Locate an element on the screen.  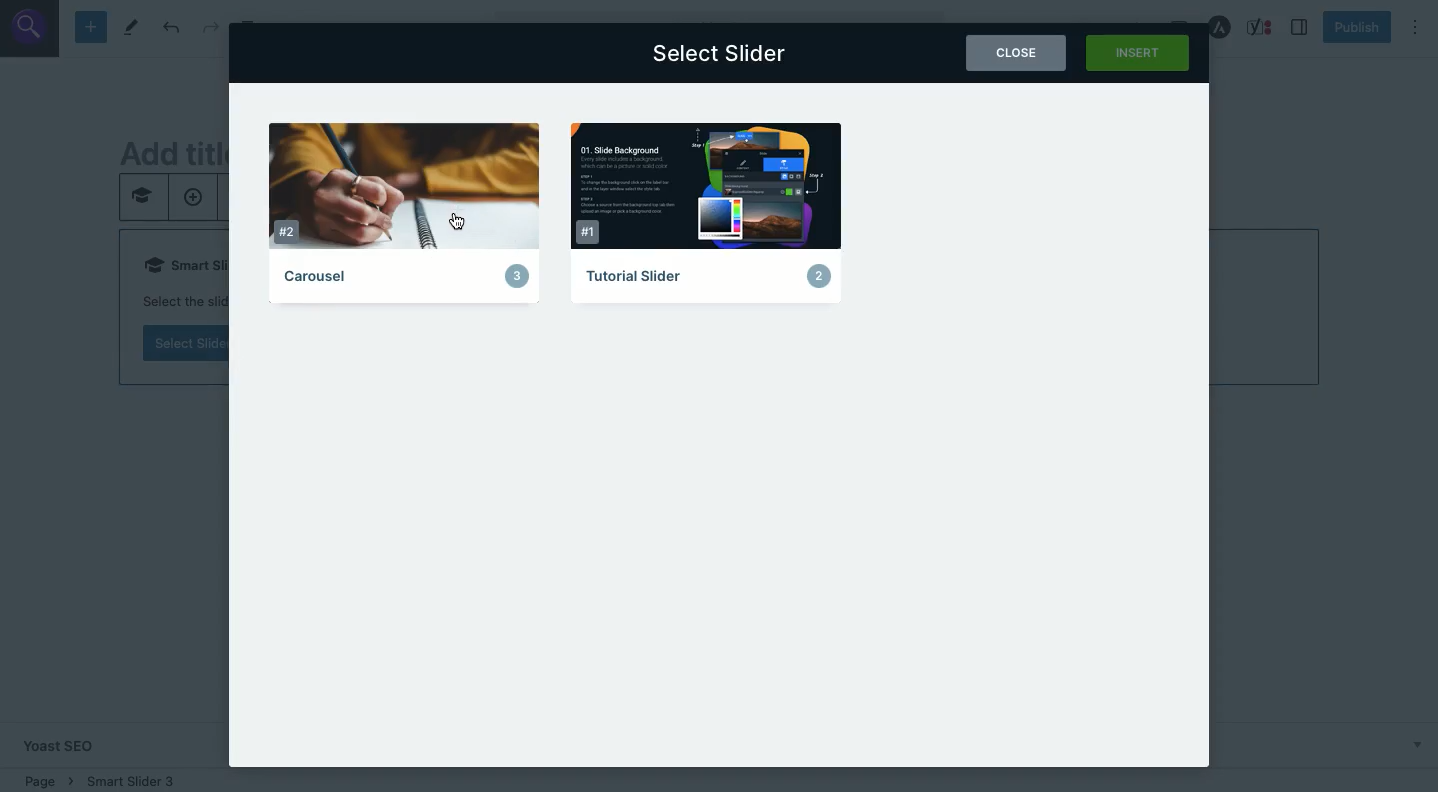
show more below is located at coordinates (1416, 743).